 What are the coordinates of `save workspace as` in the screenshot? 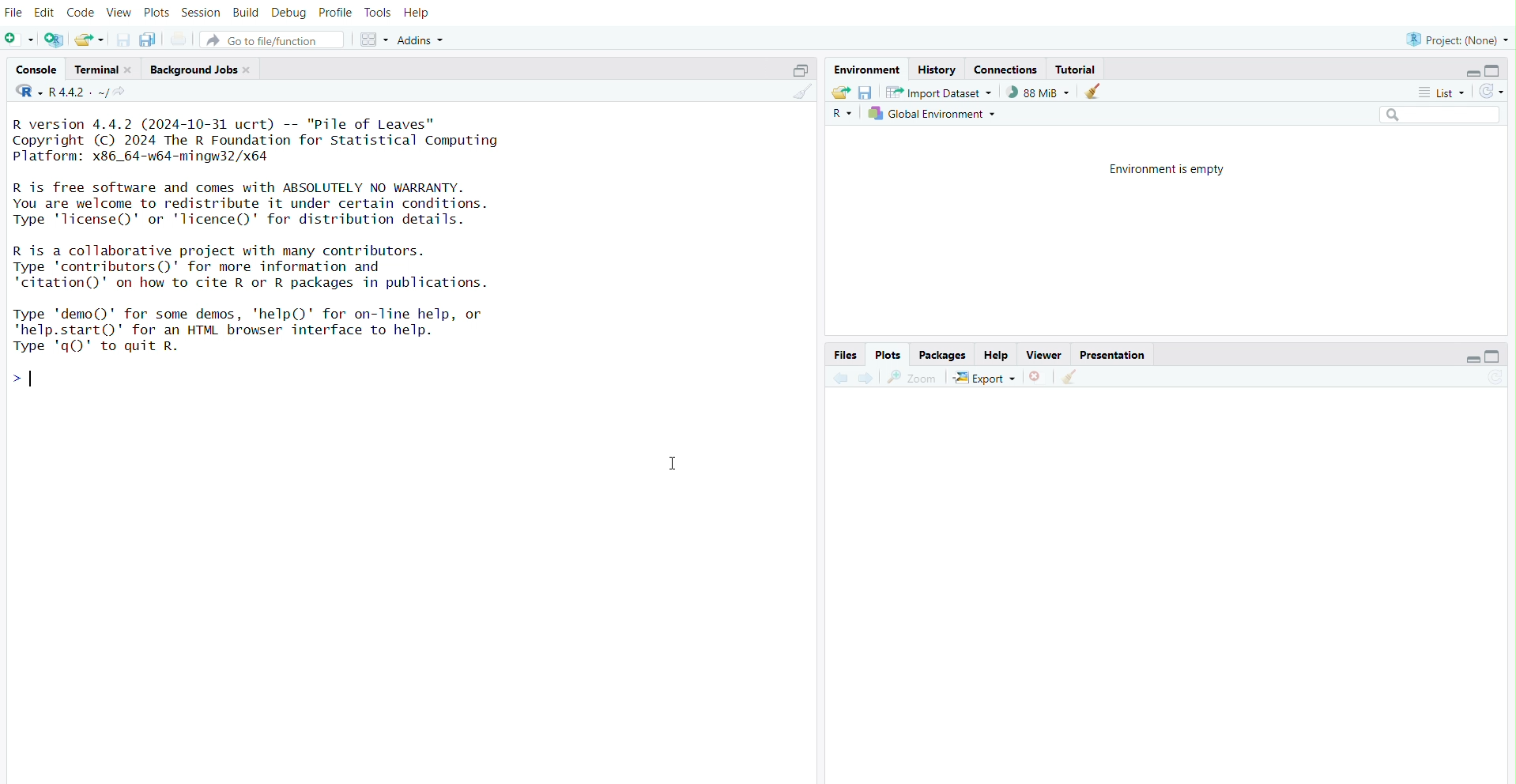 It's located at (866, 92).